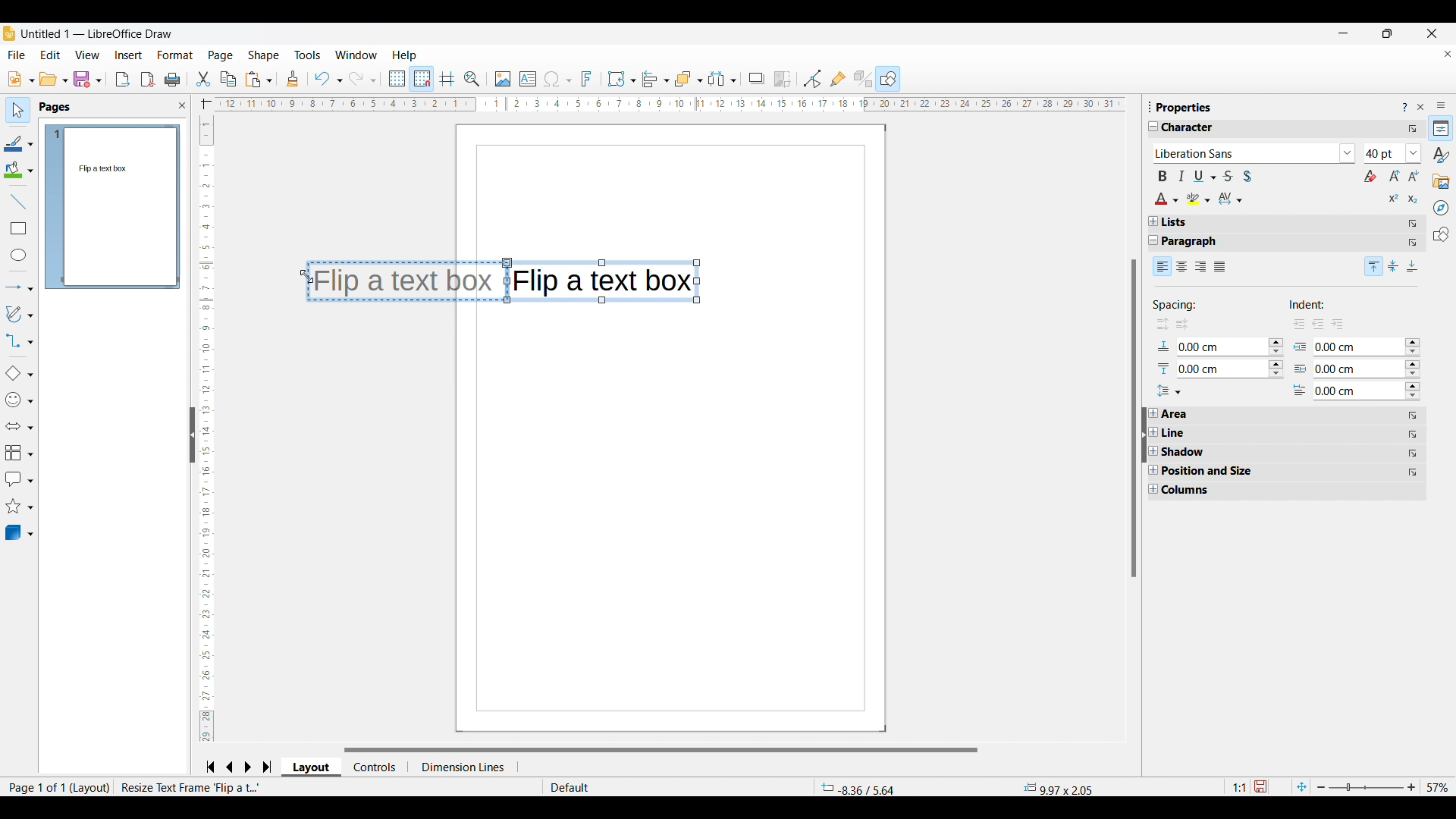 The height and width of the screenshot is (819, 1456). Describe the element at coordinates (1404, 108) in the screenshot. I see `Help about sidebar` at that location.